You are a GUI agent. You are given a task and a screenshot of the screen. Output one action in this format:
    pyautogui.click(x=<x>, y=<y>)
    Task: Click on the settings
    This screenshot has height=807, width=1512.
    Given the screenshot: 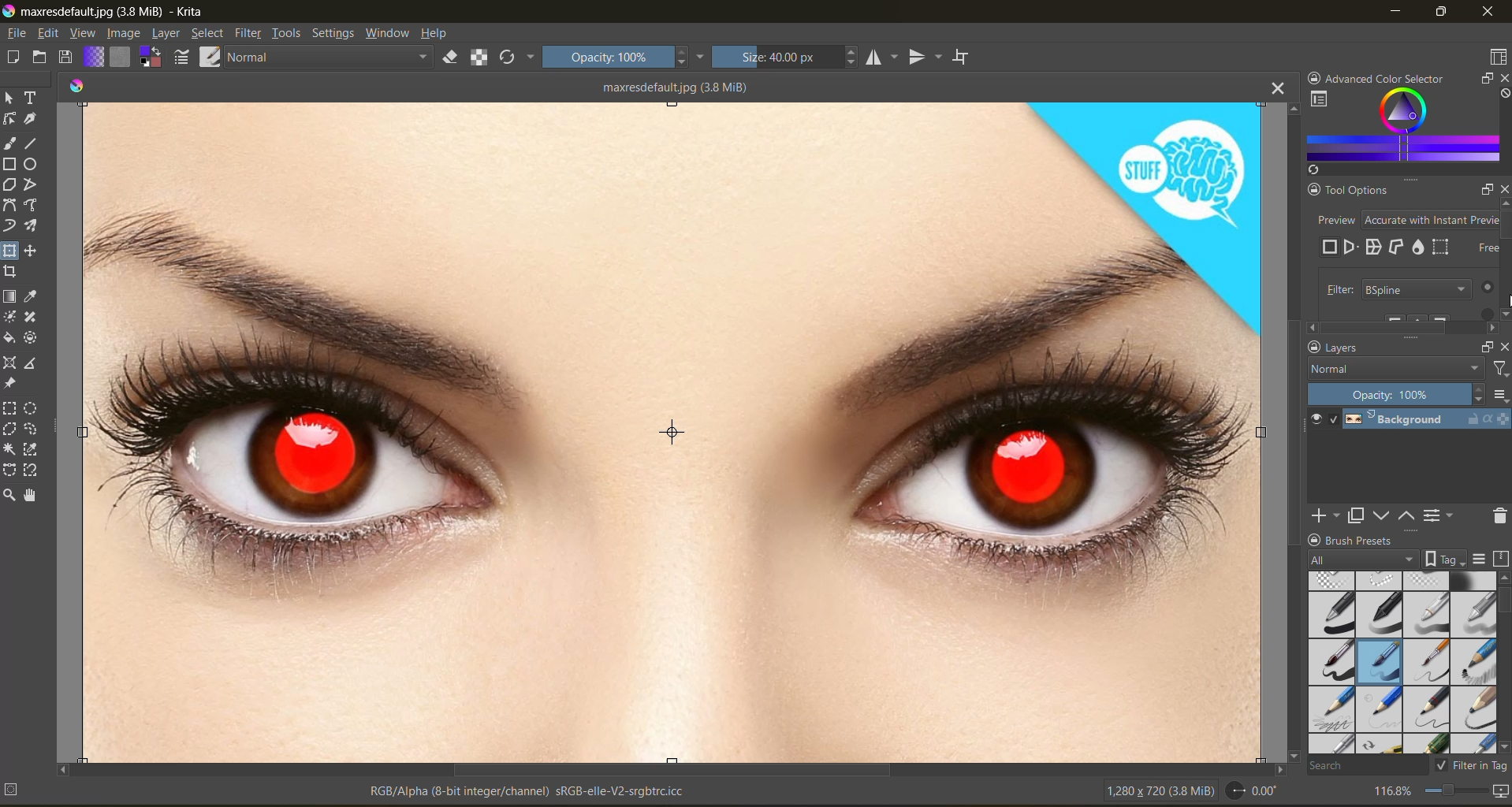 What is the action you would take?
    pyautogui.click(x=335, y=33)
    